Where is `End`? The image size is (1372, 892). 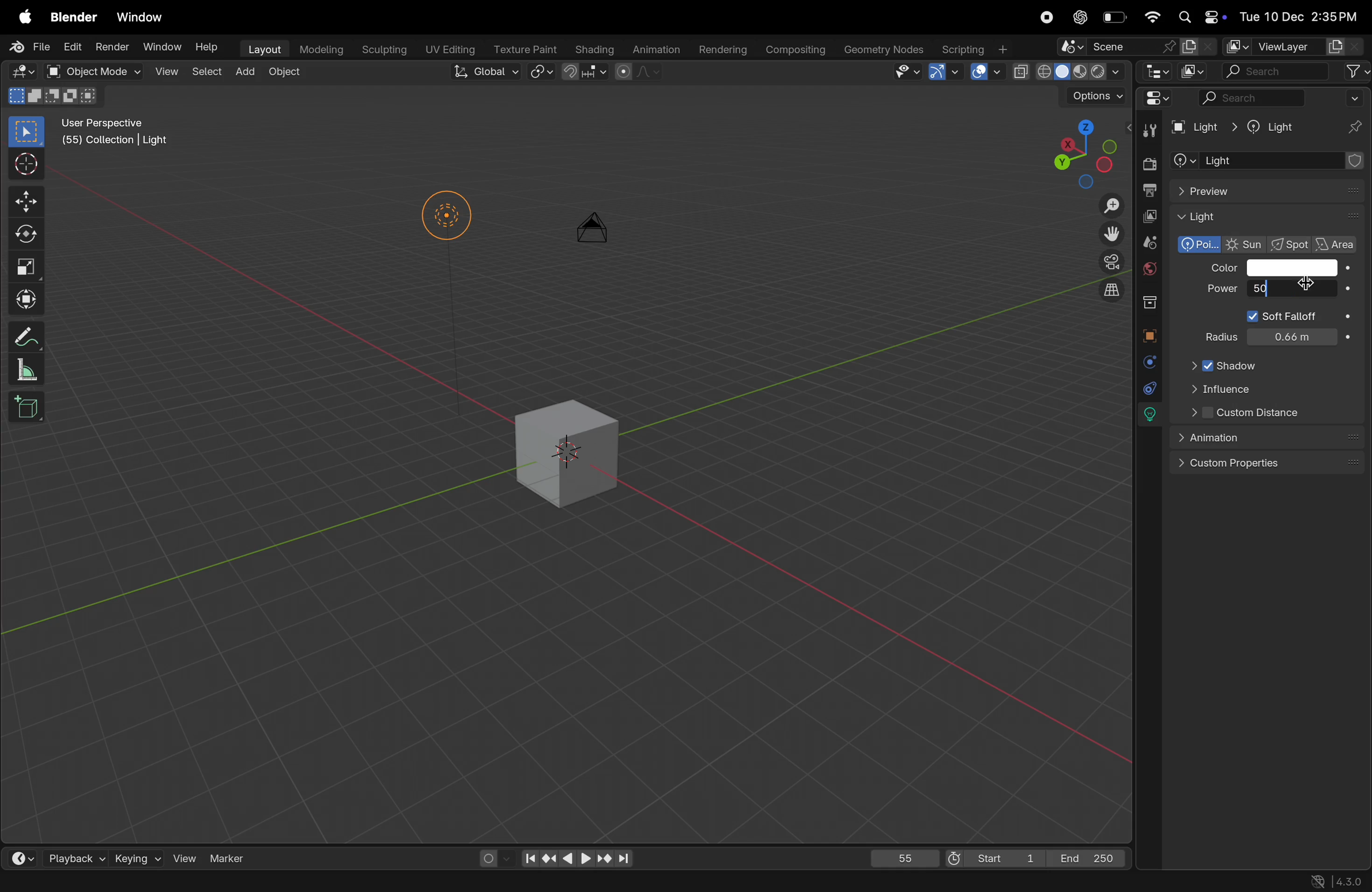 End is located at coordinates (1092, 858).